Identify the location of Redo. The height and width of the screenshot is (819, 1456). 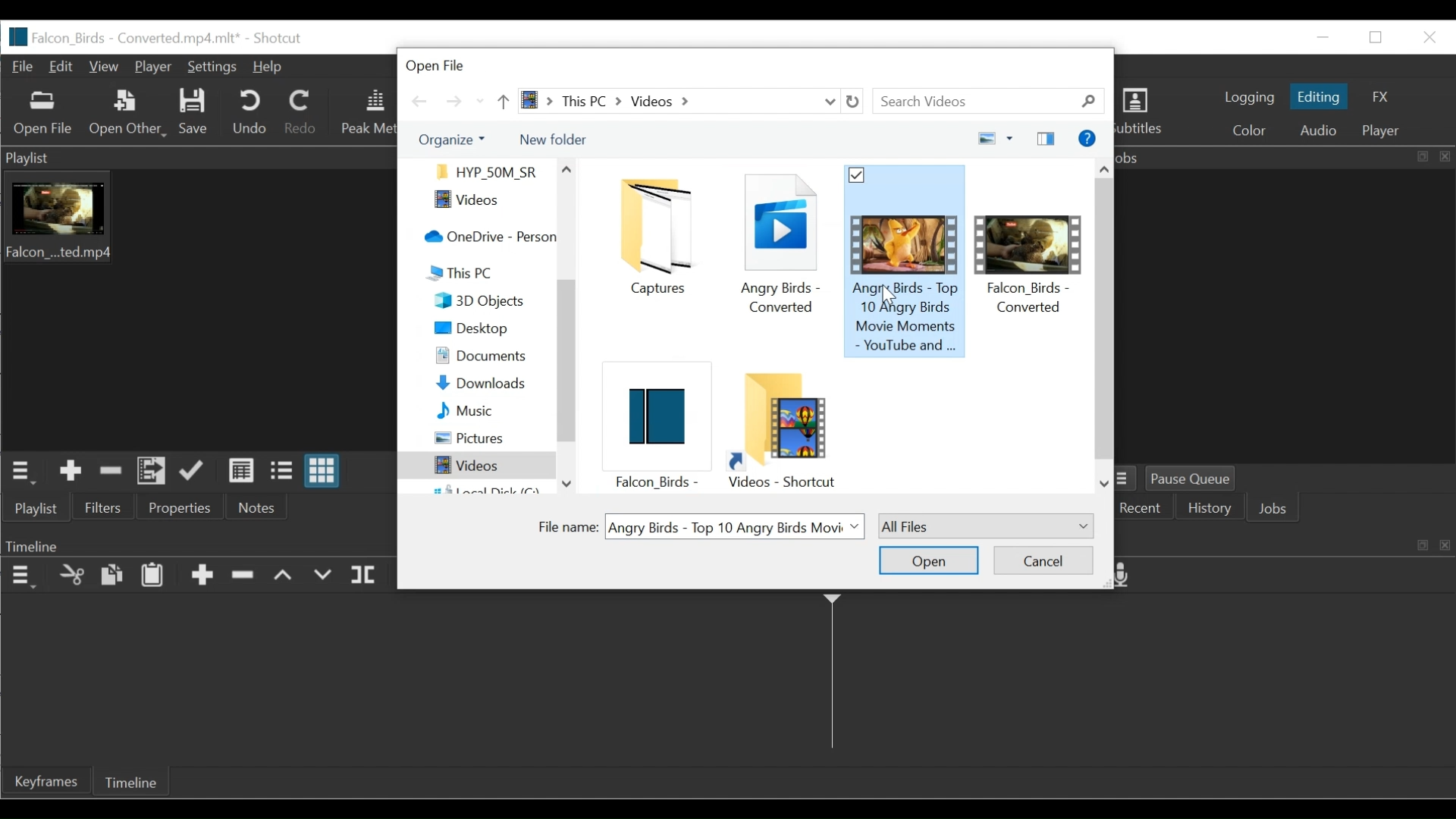
(303, 111).